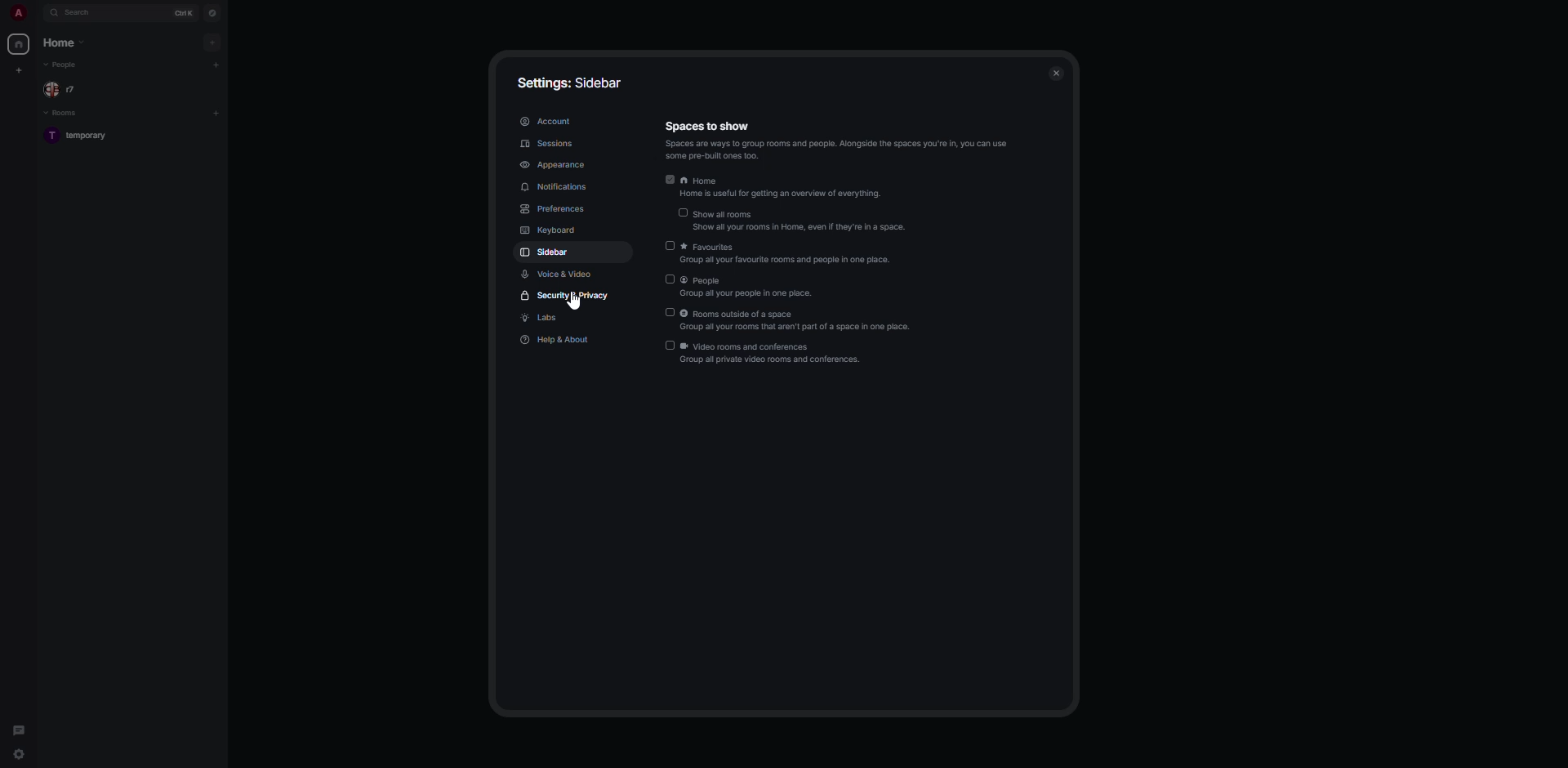  Describe the element at coordinates (786, 253) in the screenshot. I see `favorites` at that location.